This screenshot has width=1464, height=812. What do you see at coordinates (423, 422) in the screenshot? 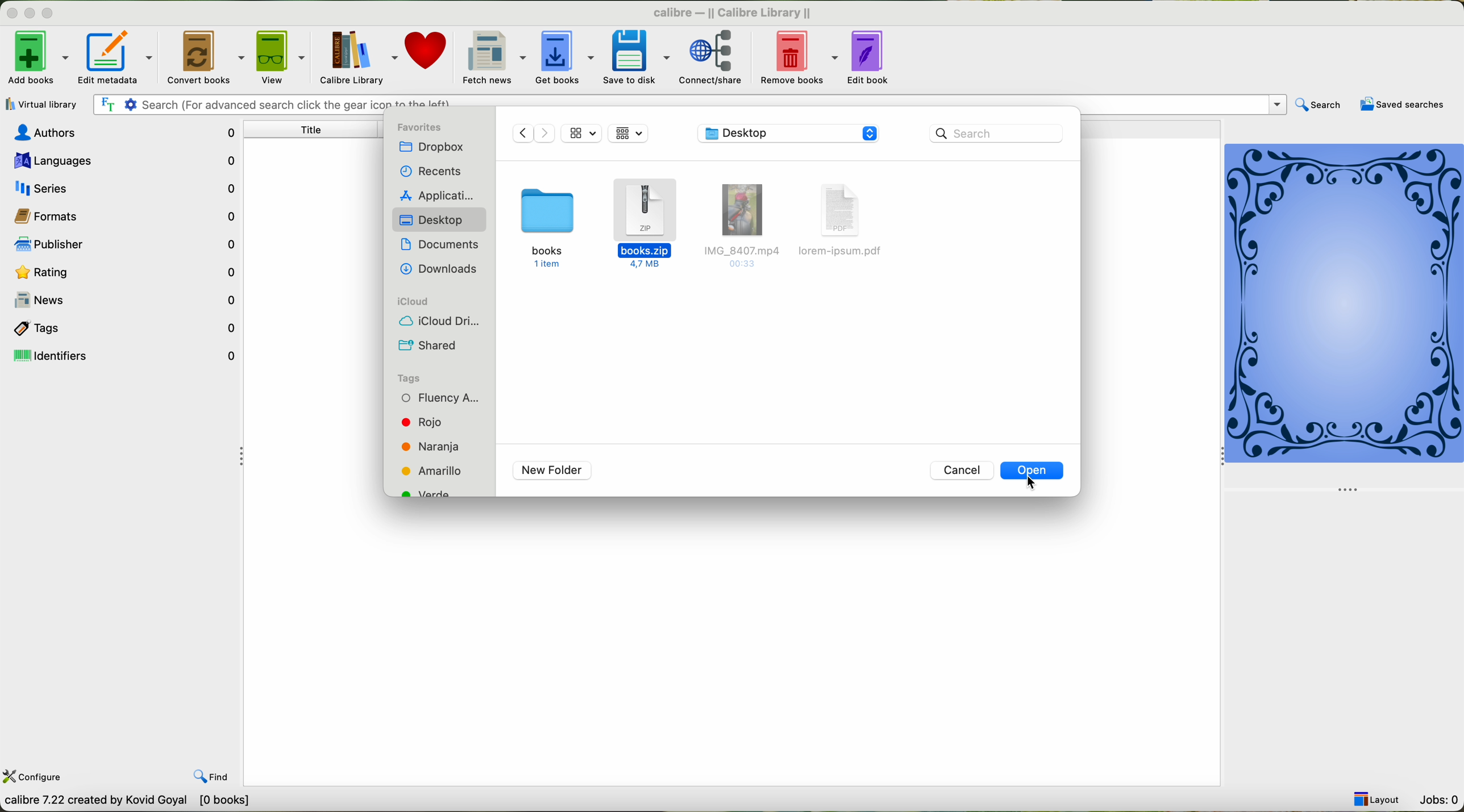
I see `red tag` at bounding box center [423, 422].